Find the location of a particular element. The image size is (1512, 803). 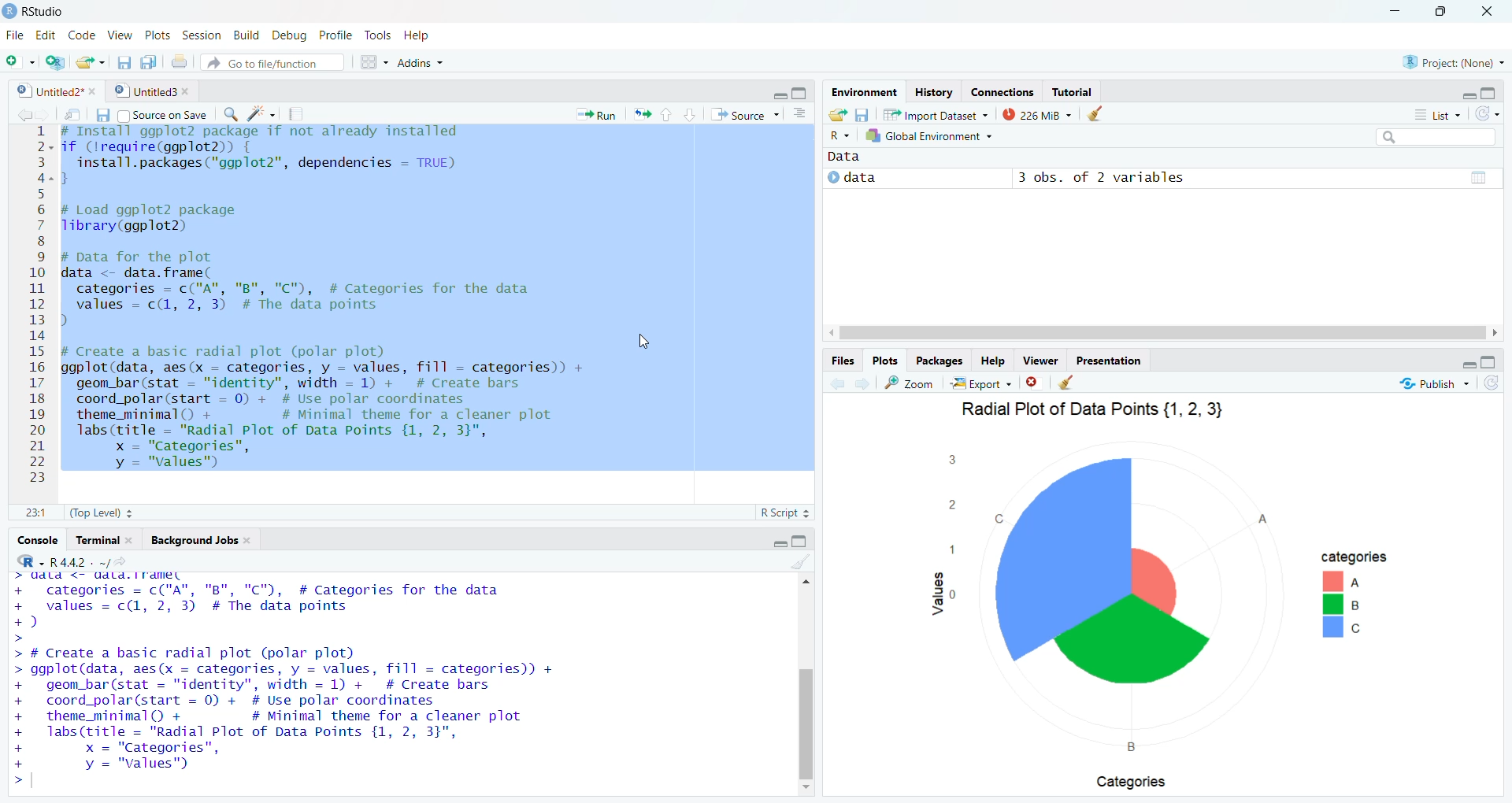

1.1 is located at coordinates (33, 513).